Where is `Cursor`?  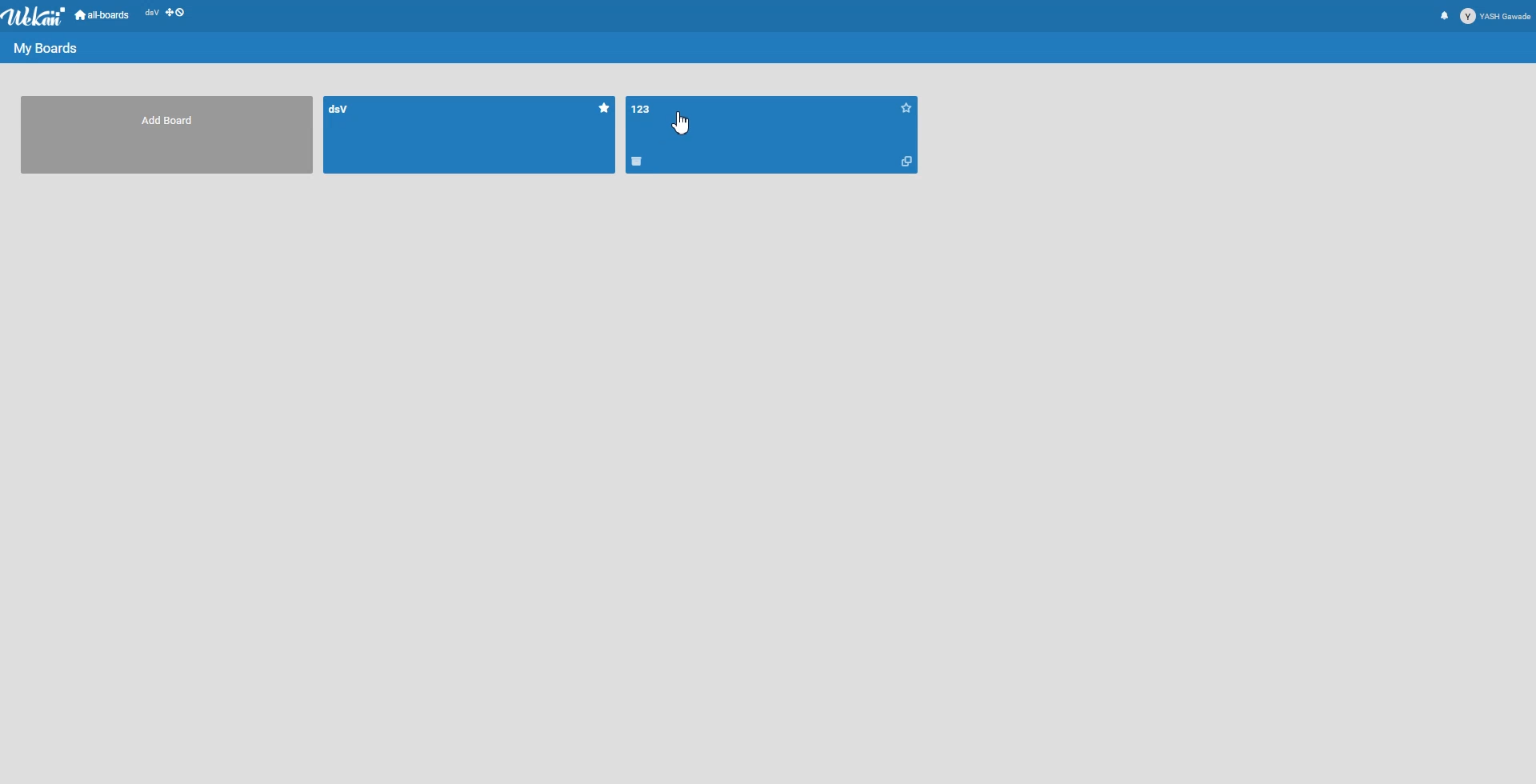
Cursor is located at coordinates (684, 124).